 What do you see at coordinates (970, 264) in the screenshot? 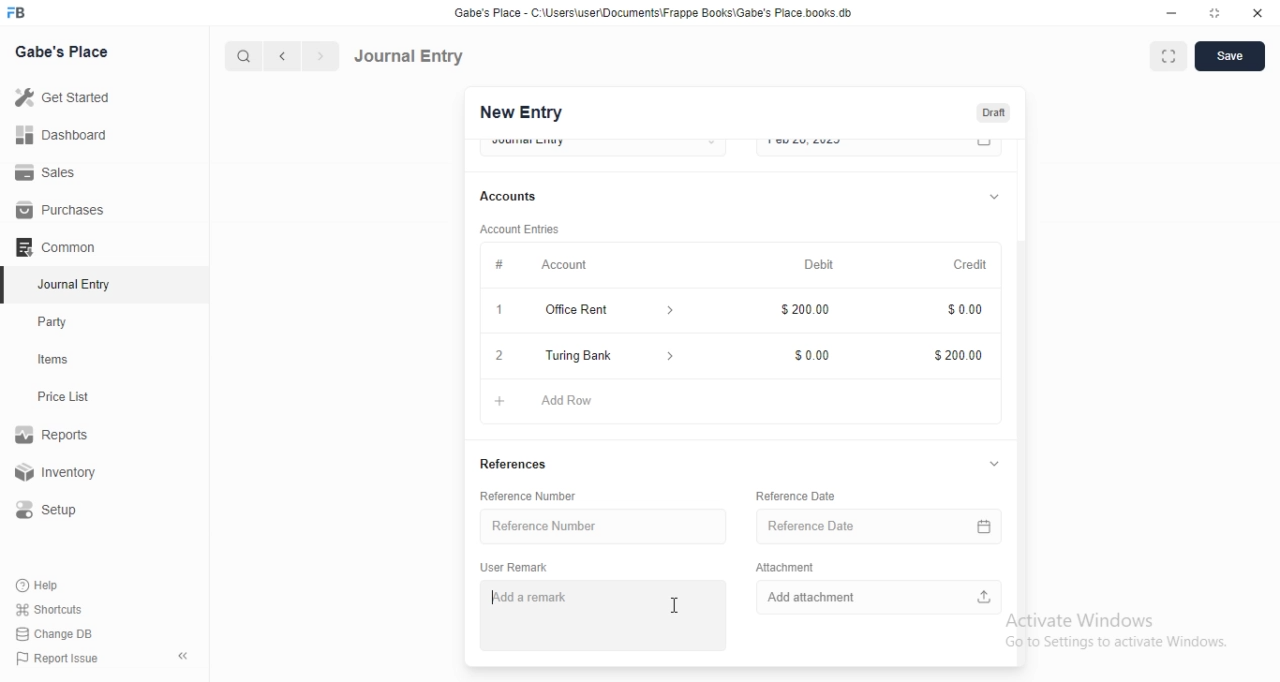
I see `Credit` at bounding box center [970, 264].